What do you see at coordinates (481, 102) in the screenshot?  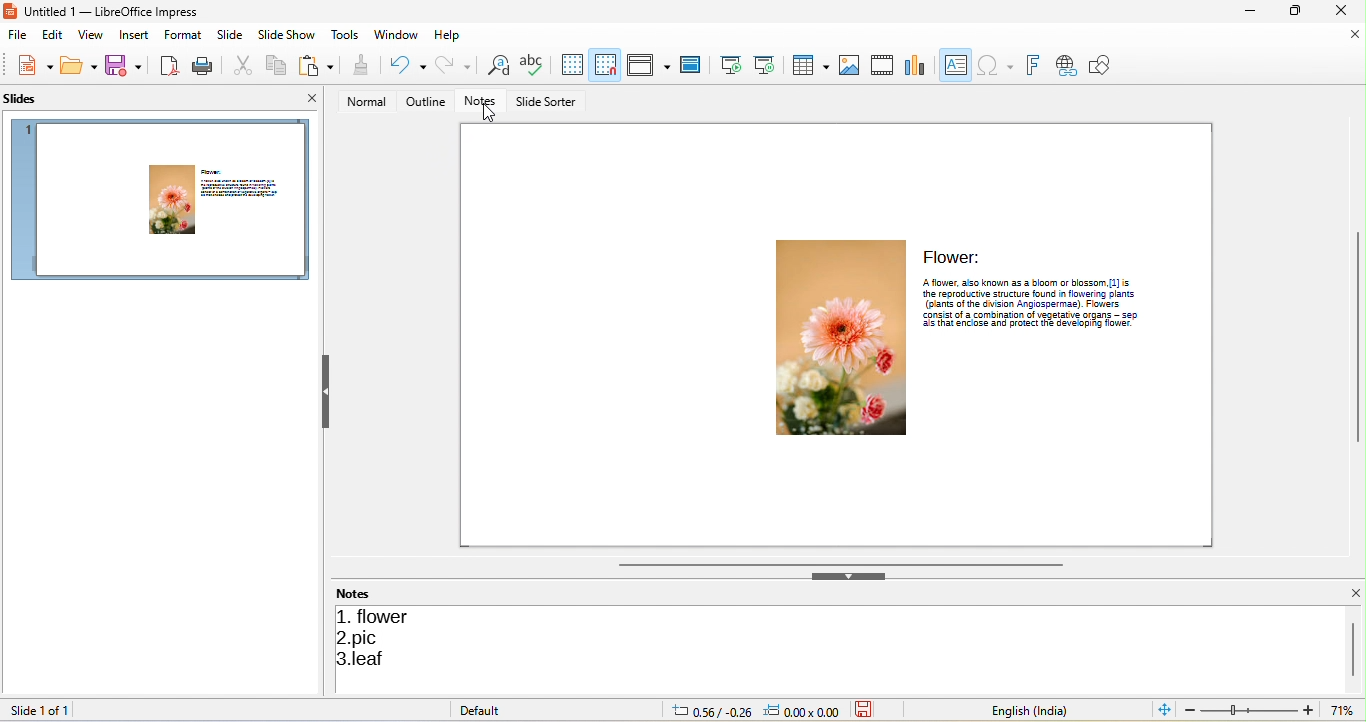 I see `notes` at bounding box center [481, 102].